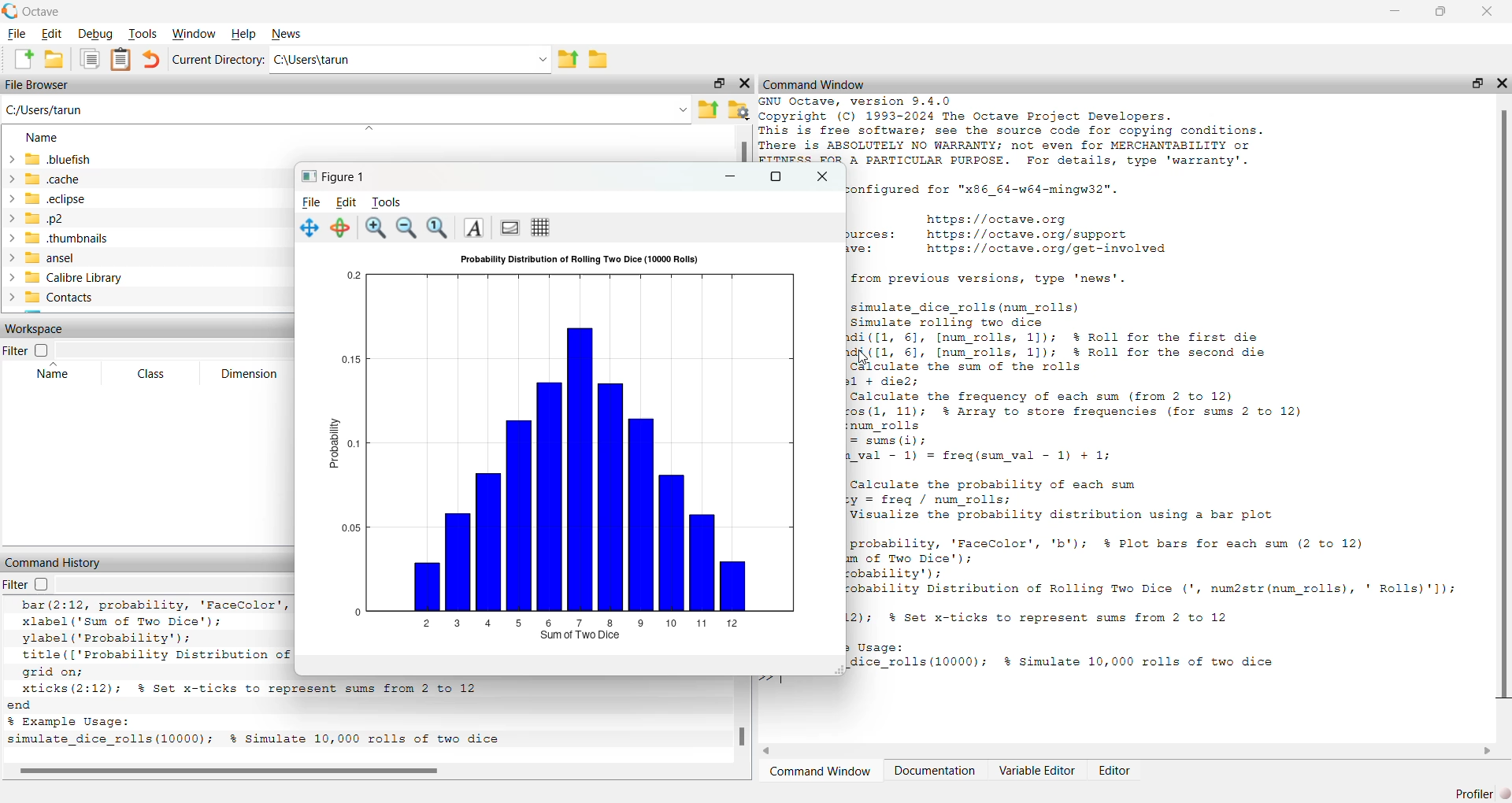 The width and height of the screenshot is (1512, 803). What do you see at coordinates (150, 61) in the screenshot?
I see `undo` at bounding box center [150, 61].